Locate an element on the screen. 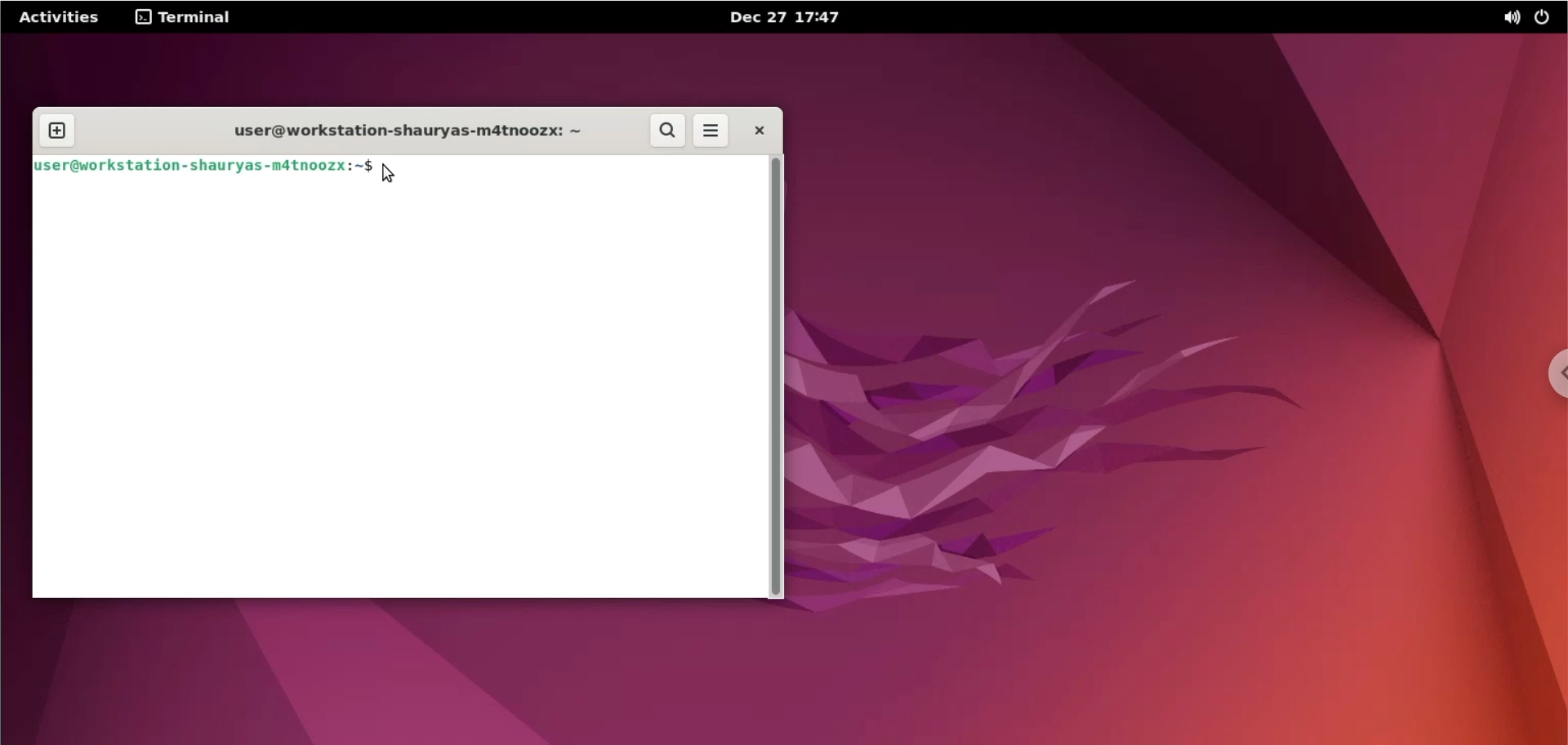  sound options is located at coordinates (1508, 16).